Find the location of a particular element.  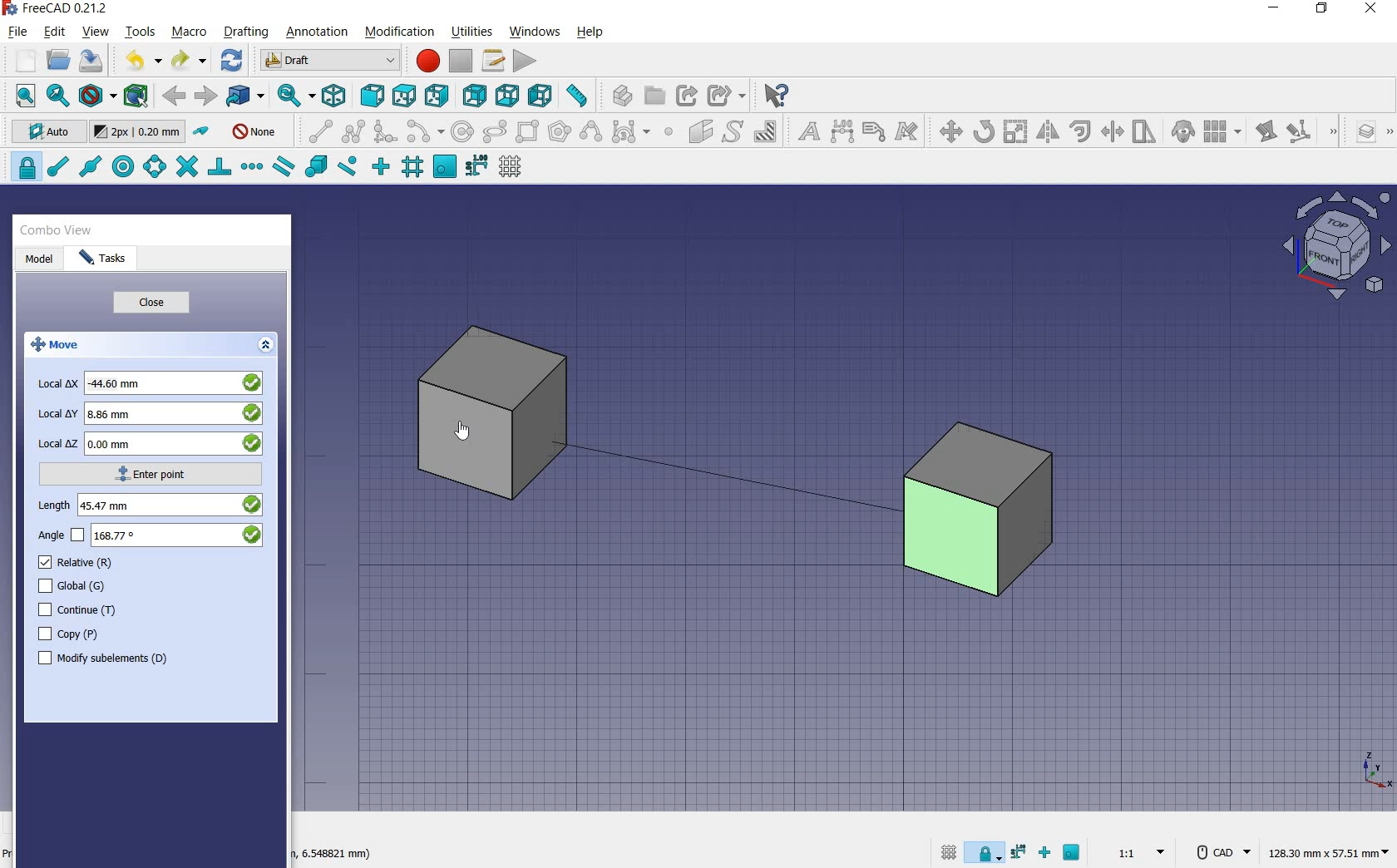

snap intersection is located at coordinates (189, 166).